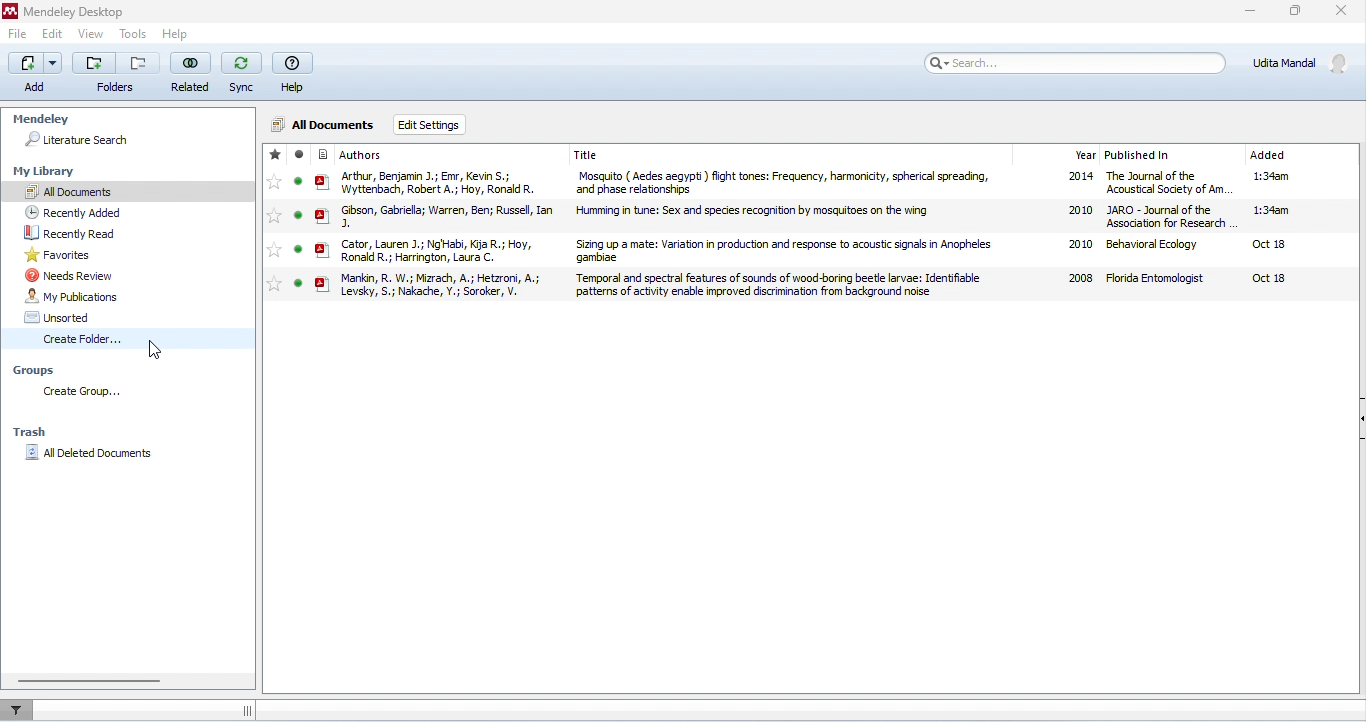  I want to click on remove, so click(140, 63).